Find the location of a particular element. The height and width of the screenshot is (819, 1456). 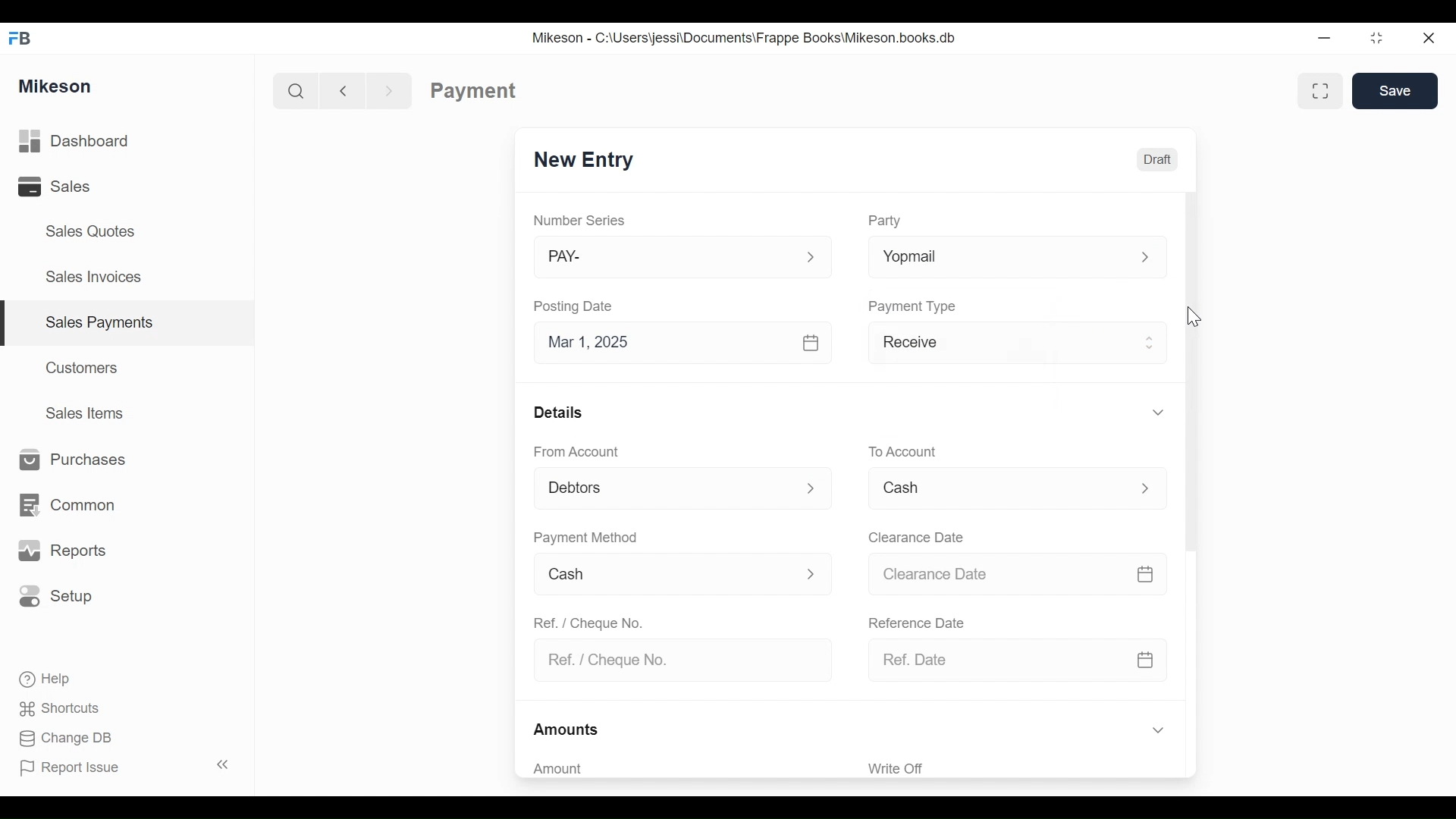

Minimize is located at coordinates (1324, 40).